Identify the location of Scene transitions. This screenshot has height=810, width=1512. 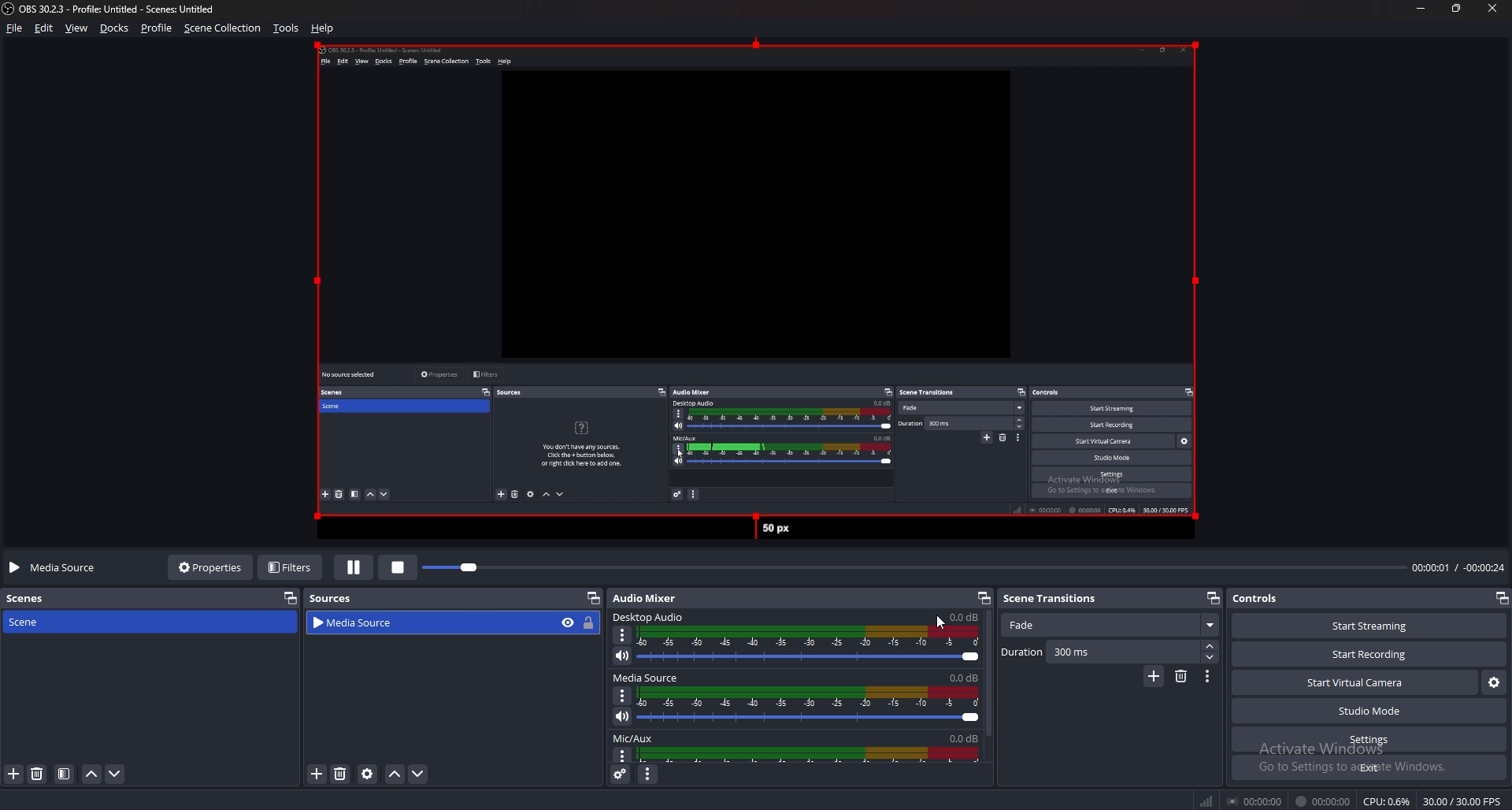
(1059, 600).